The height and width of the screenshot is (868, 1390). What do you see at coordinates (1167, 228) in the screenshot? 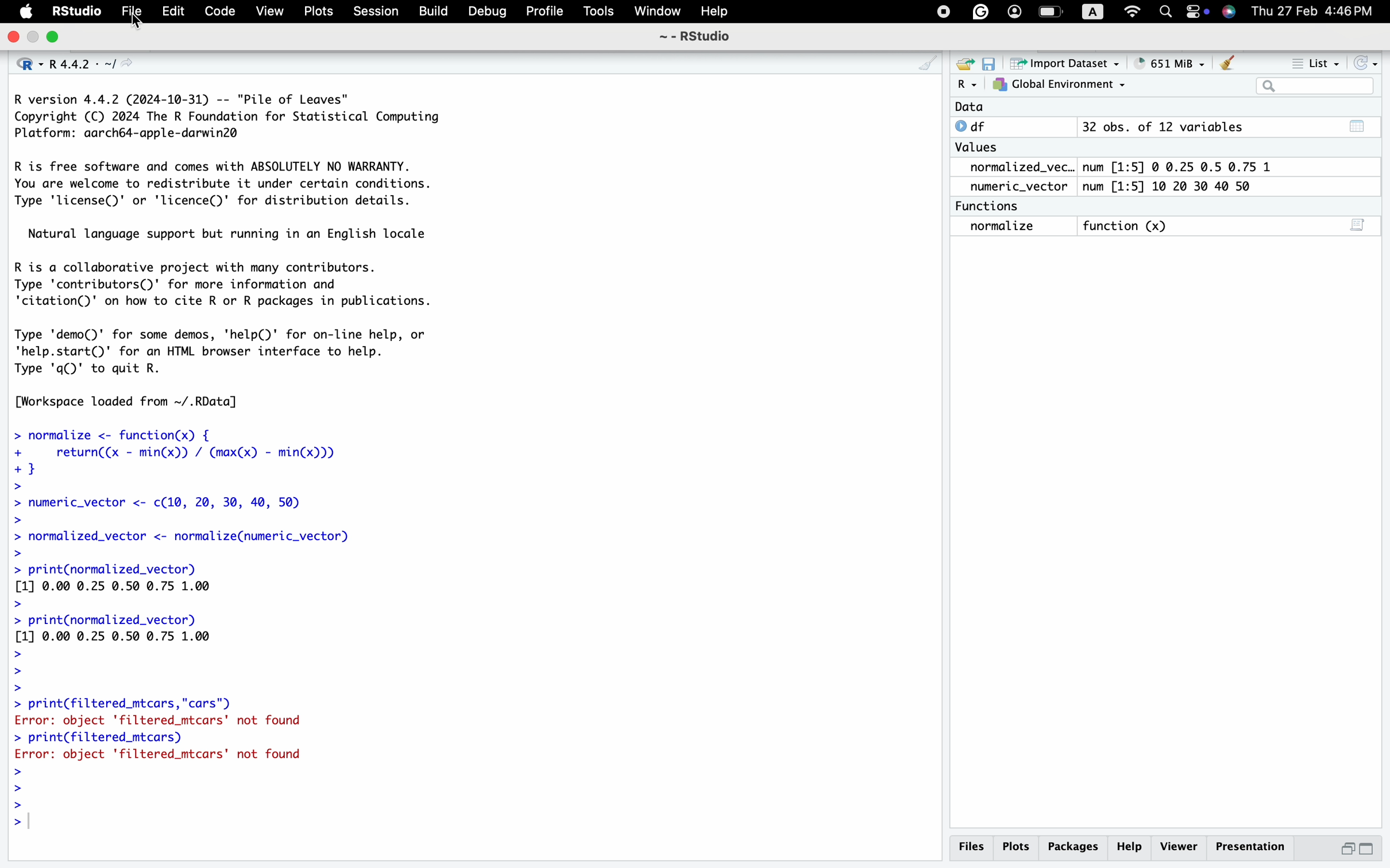
I see `normalize function (x) 3` at bounding box center [1167, 228].